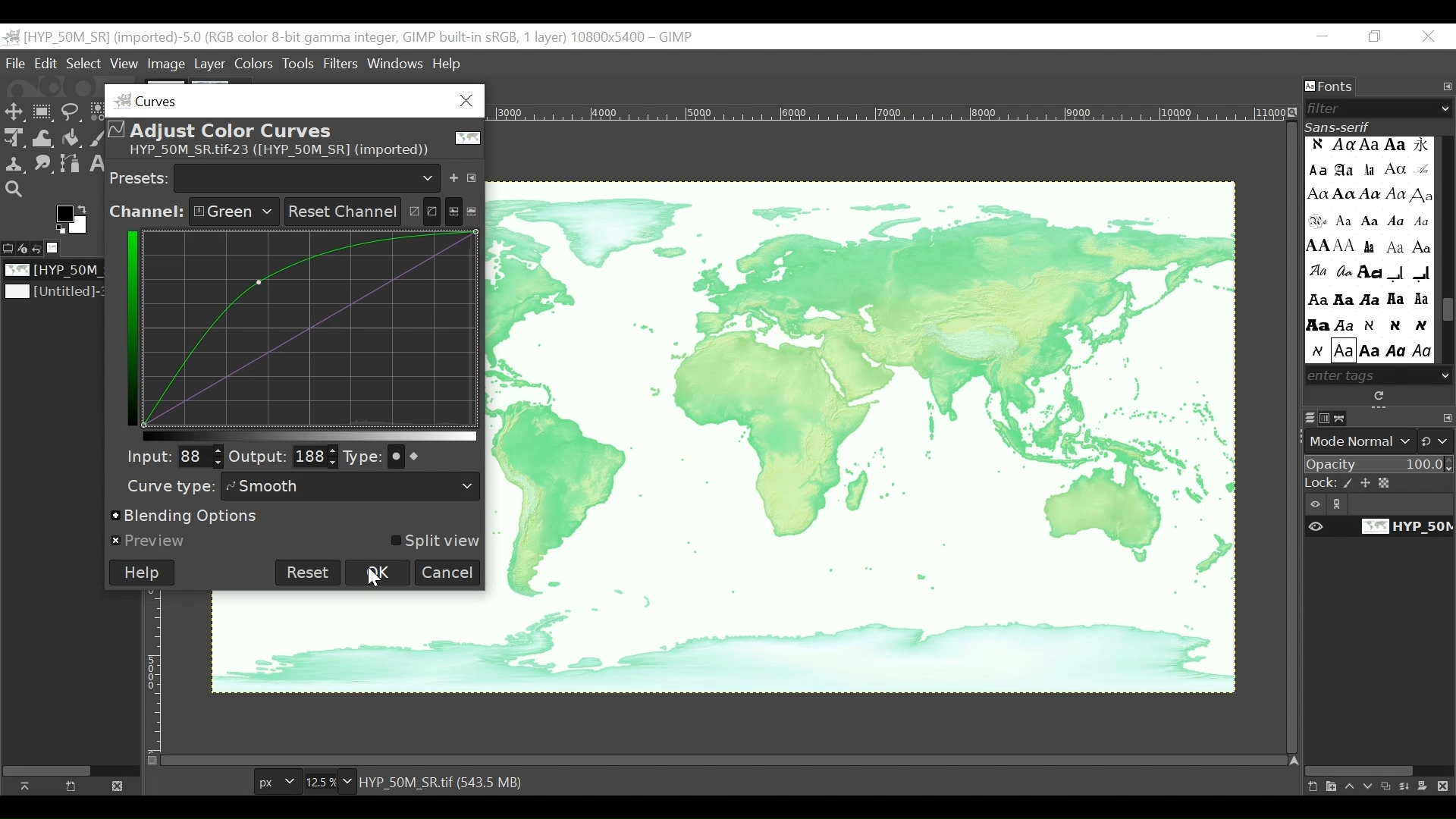  What do you see at coordinates (447, 65) in the screenshot?
I see `Help` at bounding box center [447, 65].